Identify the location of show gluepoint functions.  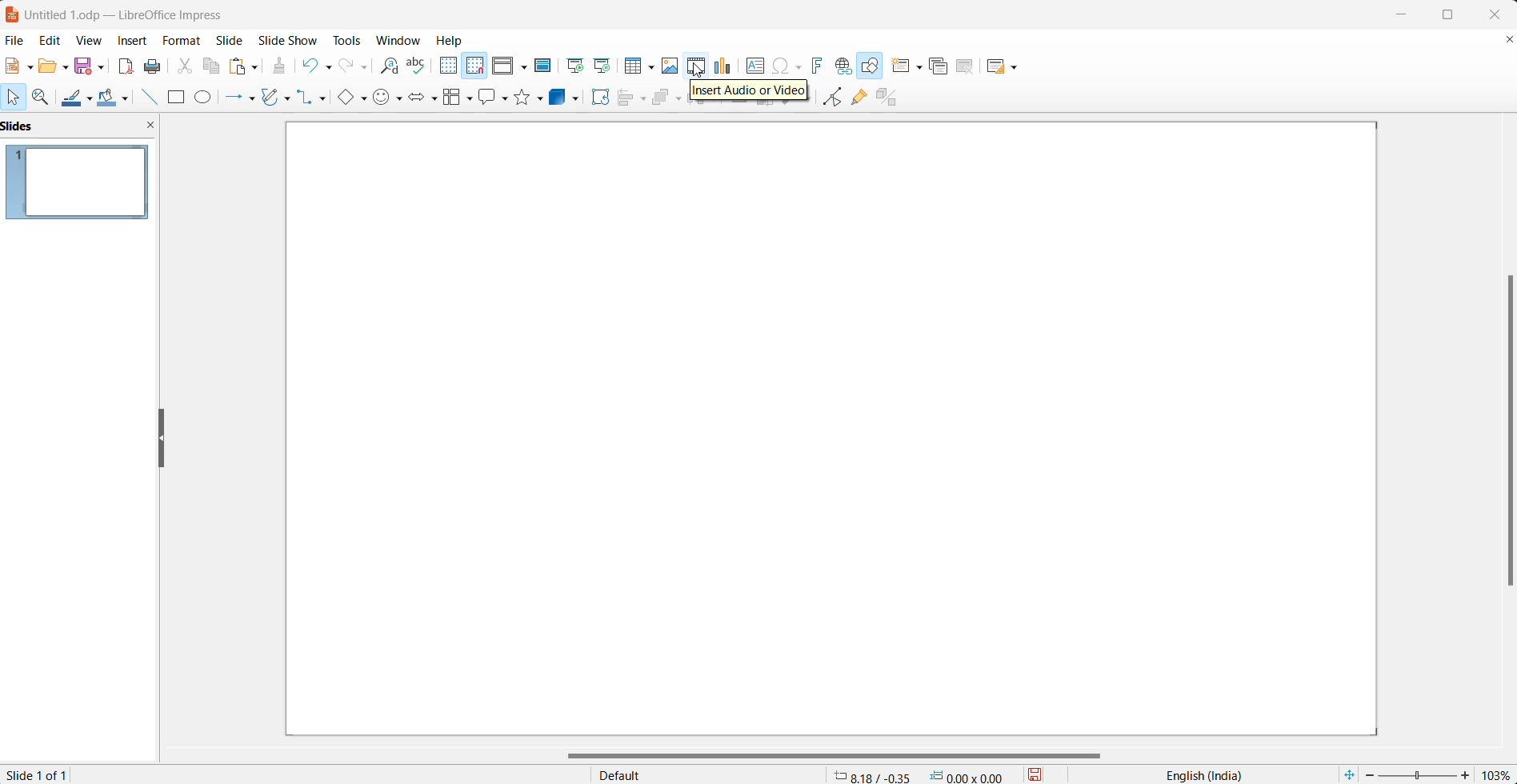
(859, 99).